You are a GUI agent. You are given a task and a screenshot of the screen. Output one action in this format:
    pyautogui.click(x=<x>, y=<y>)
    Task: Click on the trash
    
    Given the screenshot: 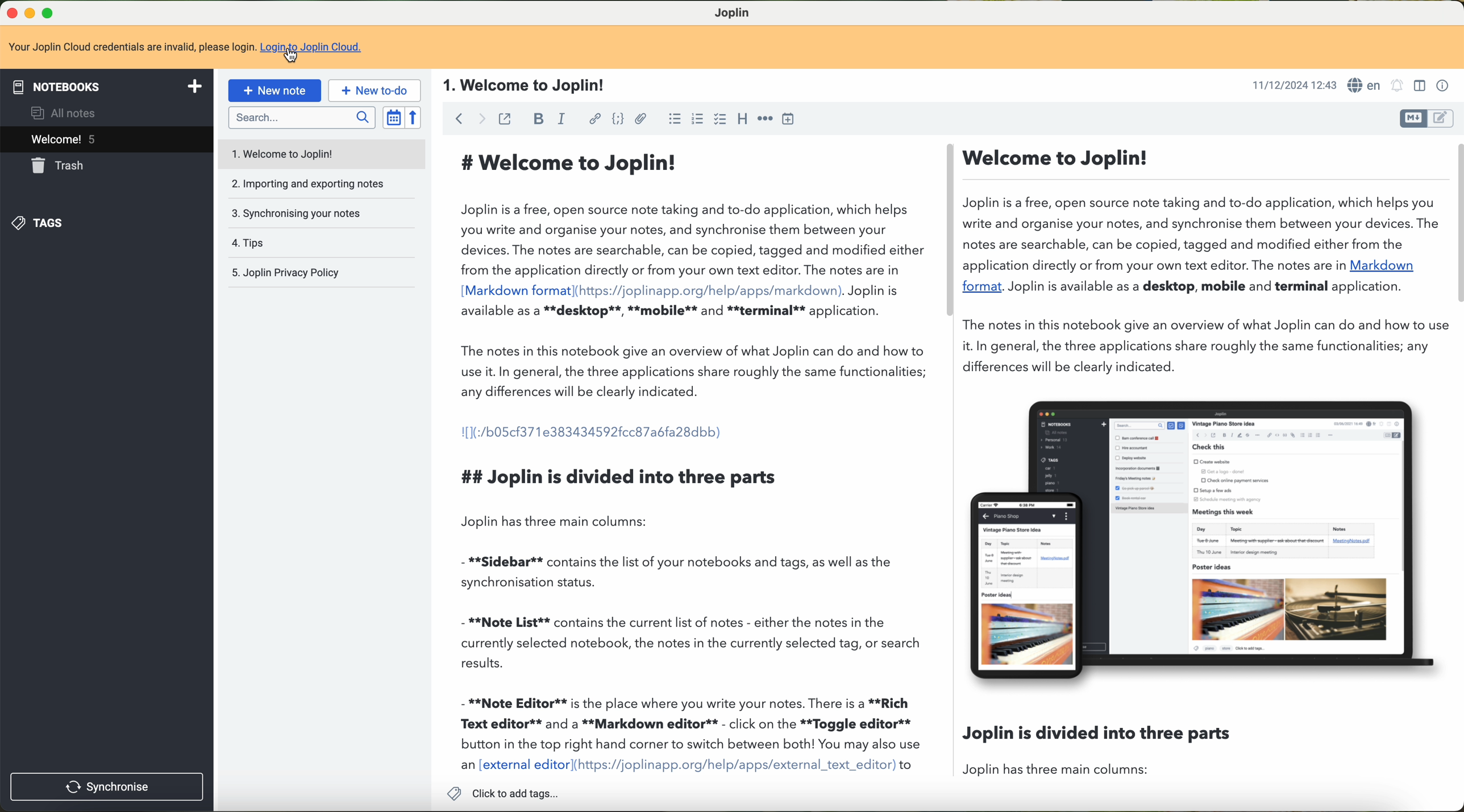 What is the action you would take?
    pyautogui.click(x=55, y=165)
    